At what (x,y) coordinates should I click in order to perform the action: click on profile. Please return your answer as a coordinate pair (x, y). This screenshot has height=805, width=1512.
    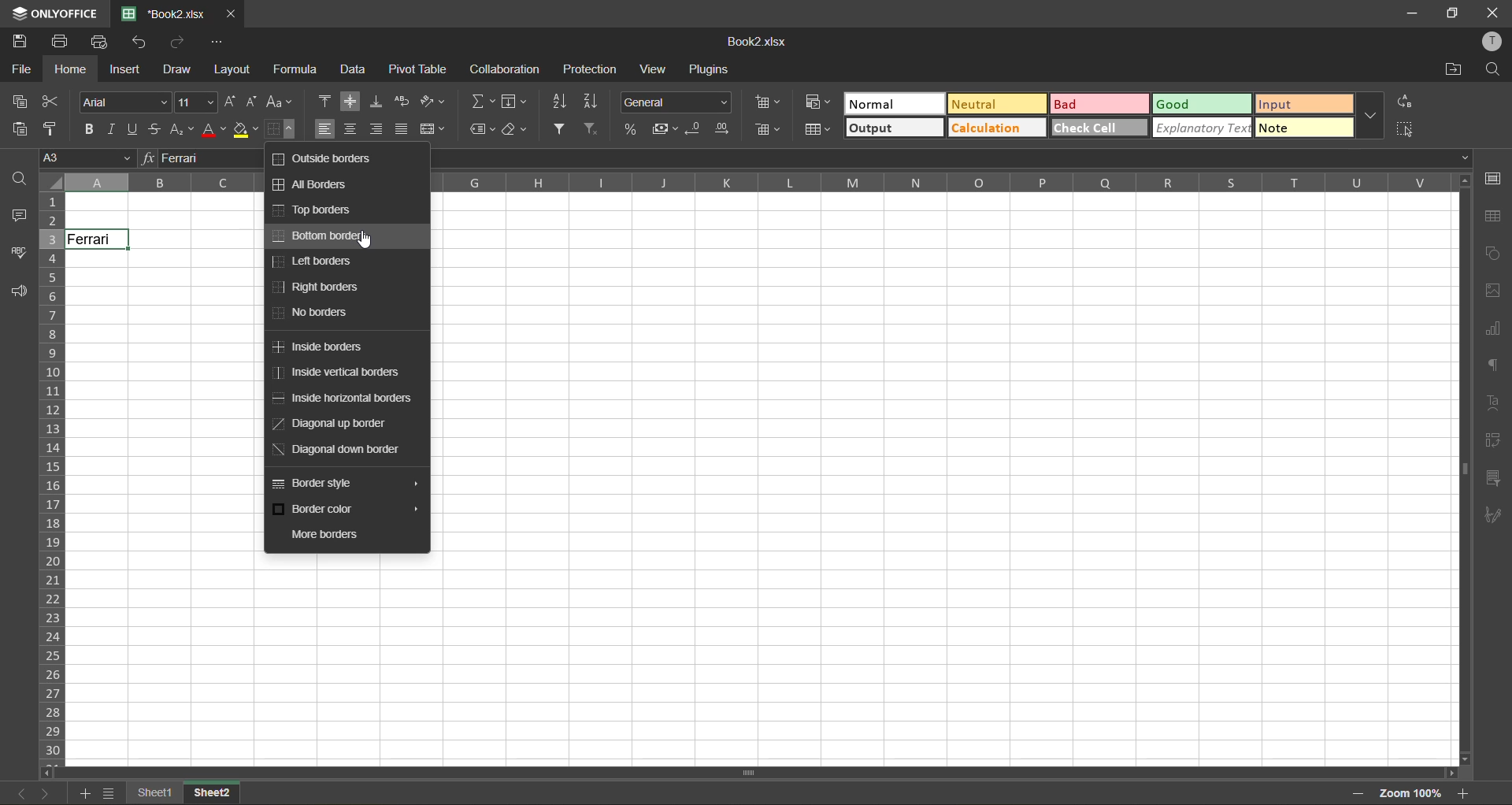
    Looking at the image, I should click on (1494, 43).